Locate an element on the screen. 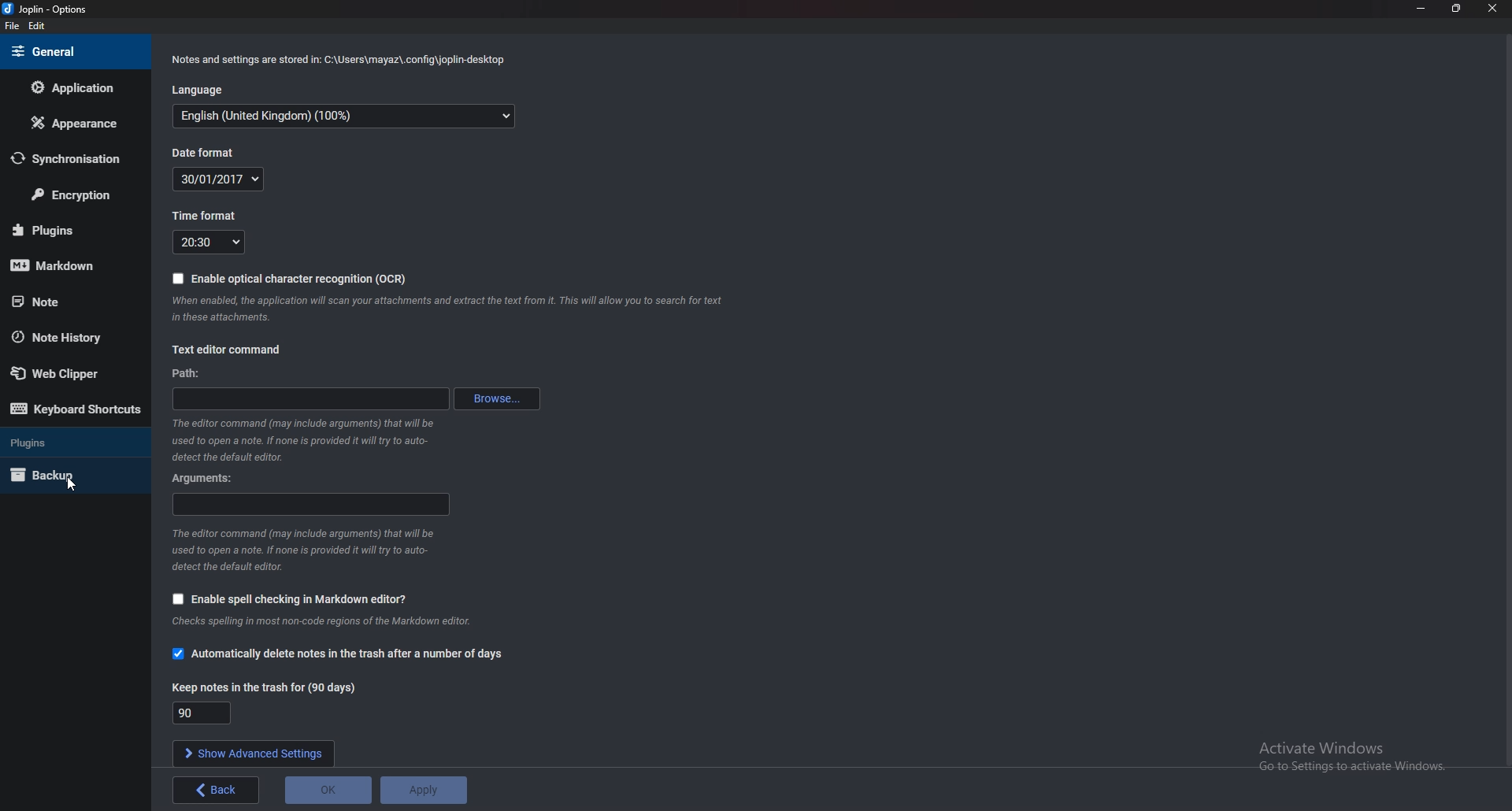  Date format is located at coordinates (206, 154).